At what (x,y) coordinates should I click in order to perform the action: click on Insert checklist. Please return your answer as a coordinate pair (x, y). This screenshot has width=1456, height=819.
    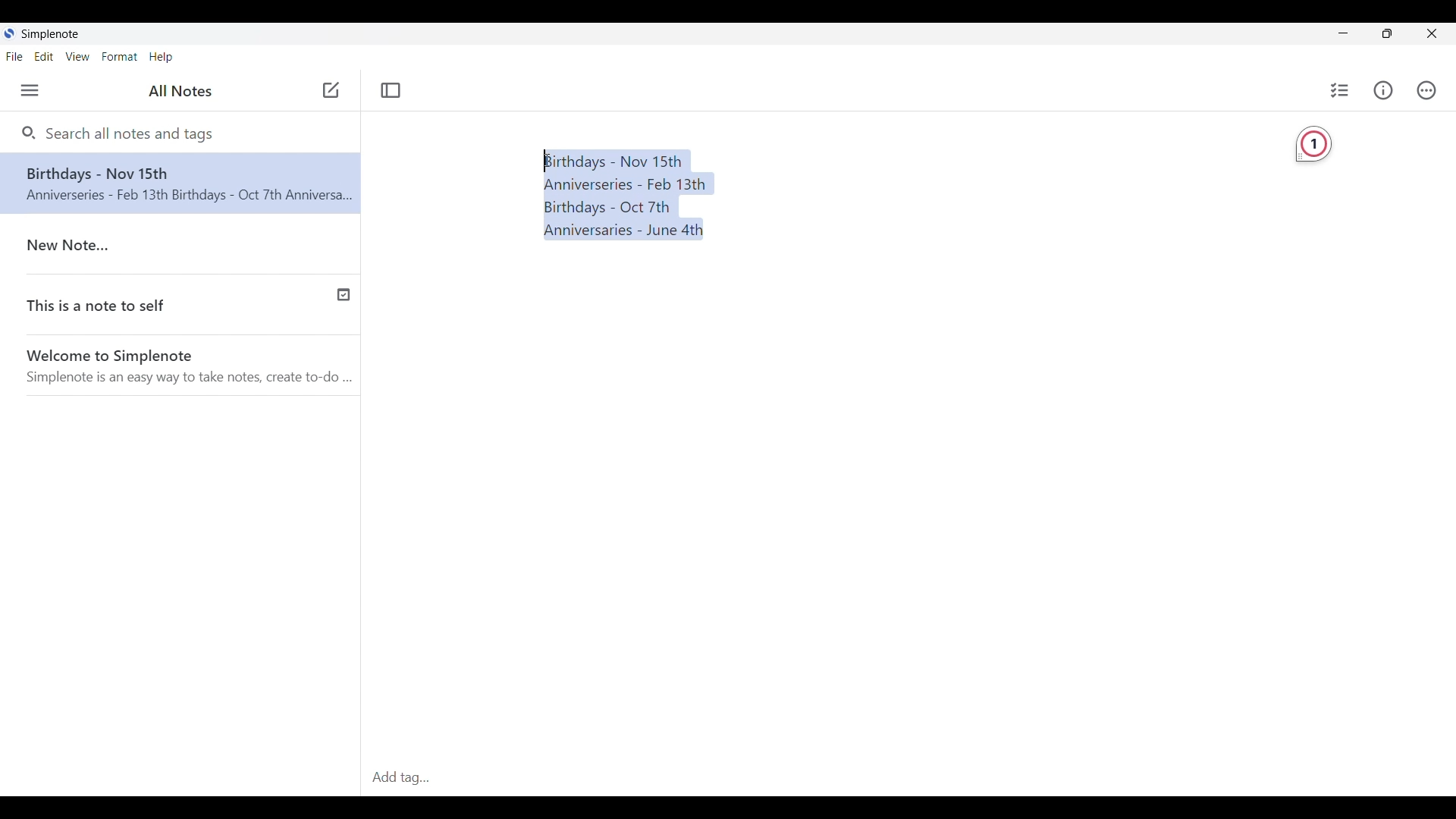
    Looking at the image, I should click on (1341, 90).